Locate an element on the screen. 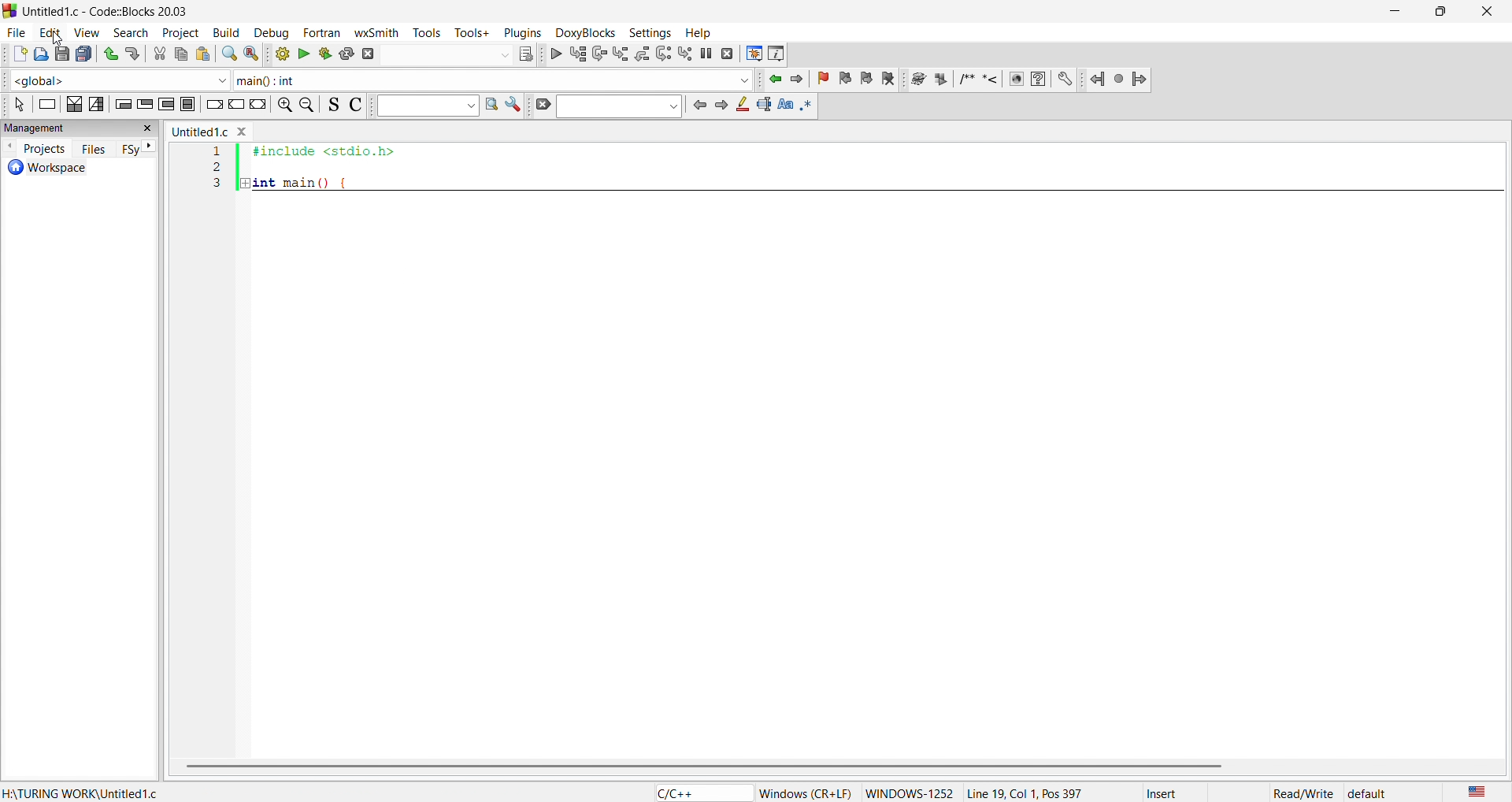 The image size is (1512, 802). function select is located at coordinates (493, 80).